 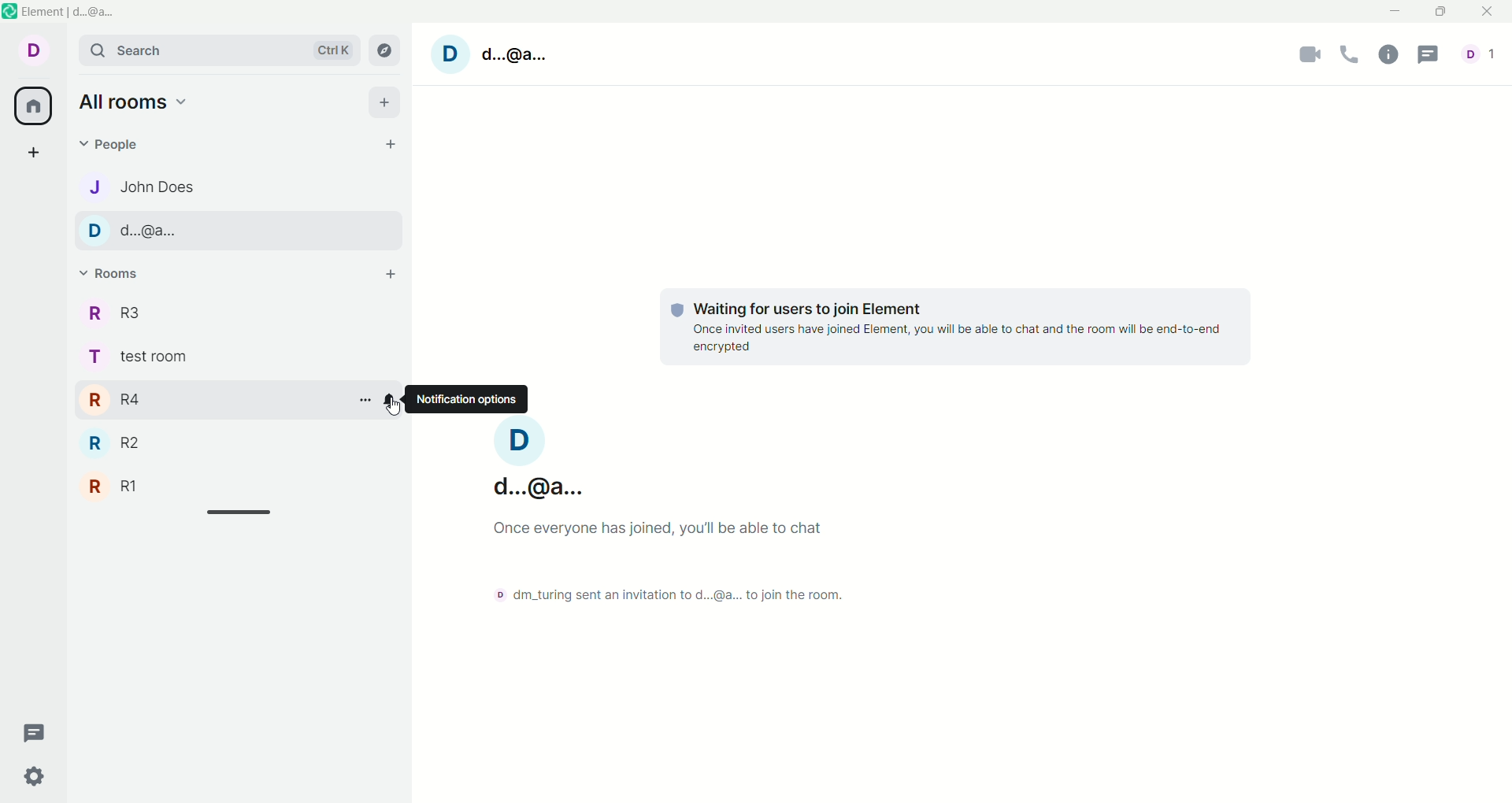 What do you see at coordinates (807, 309) in the screenshot?
I see `Waiting for users to join Element` at bounding box center [807, 309].